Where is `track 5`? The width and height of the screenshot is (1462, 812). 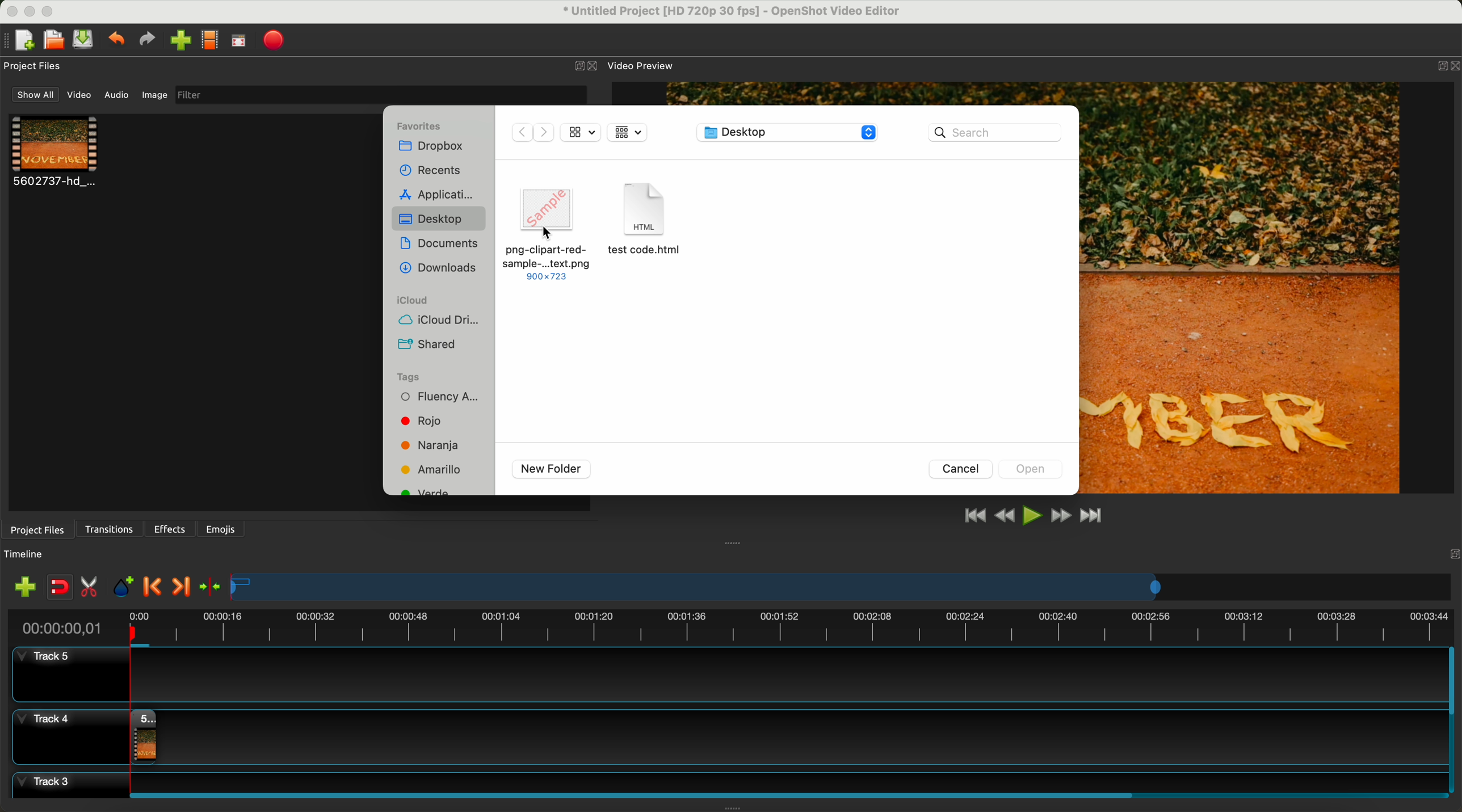
track 5 is located at coordinates (721, 675).